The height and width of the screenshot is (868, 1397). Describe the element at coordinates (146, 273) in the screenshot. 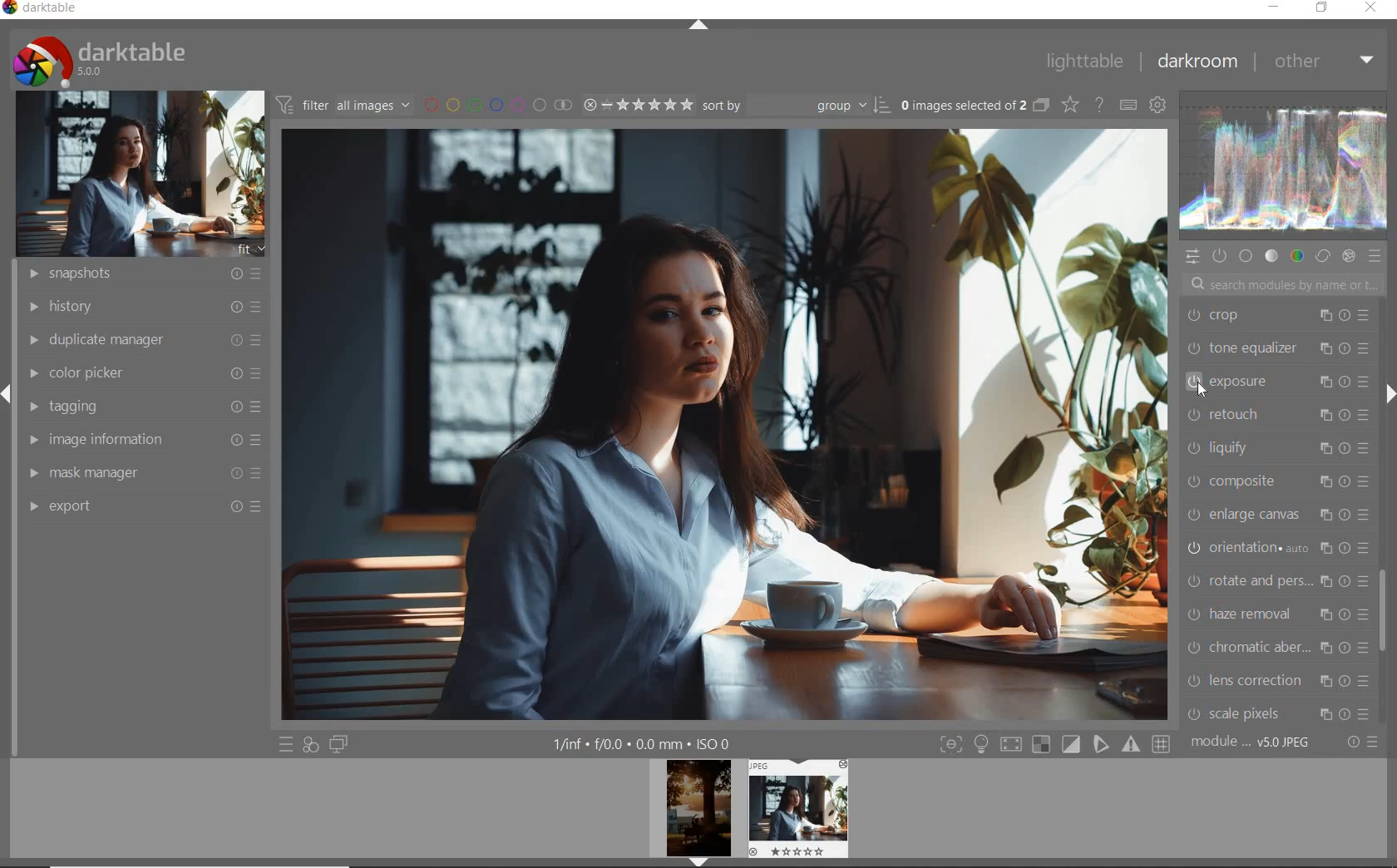

I see `SNAPSHOTS` at that location.